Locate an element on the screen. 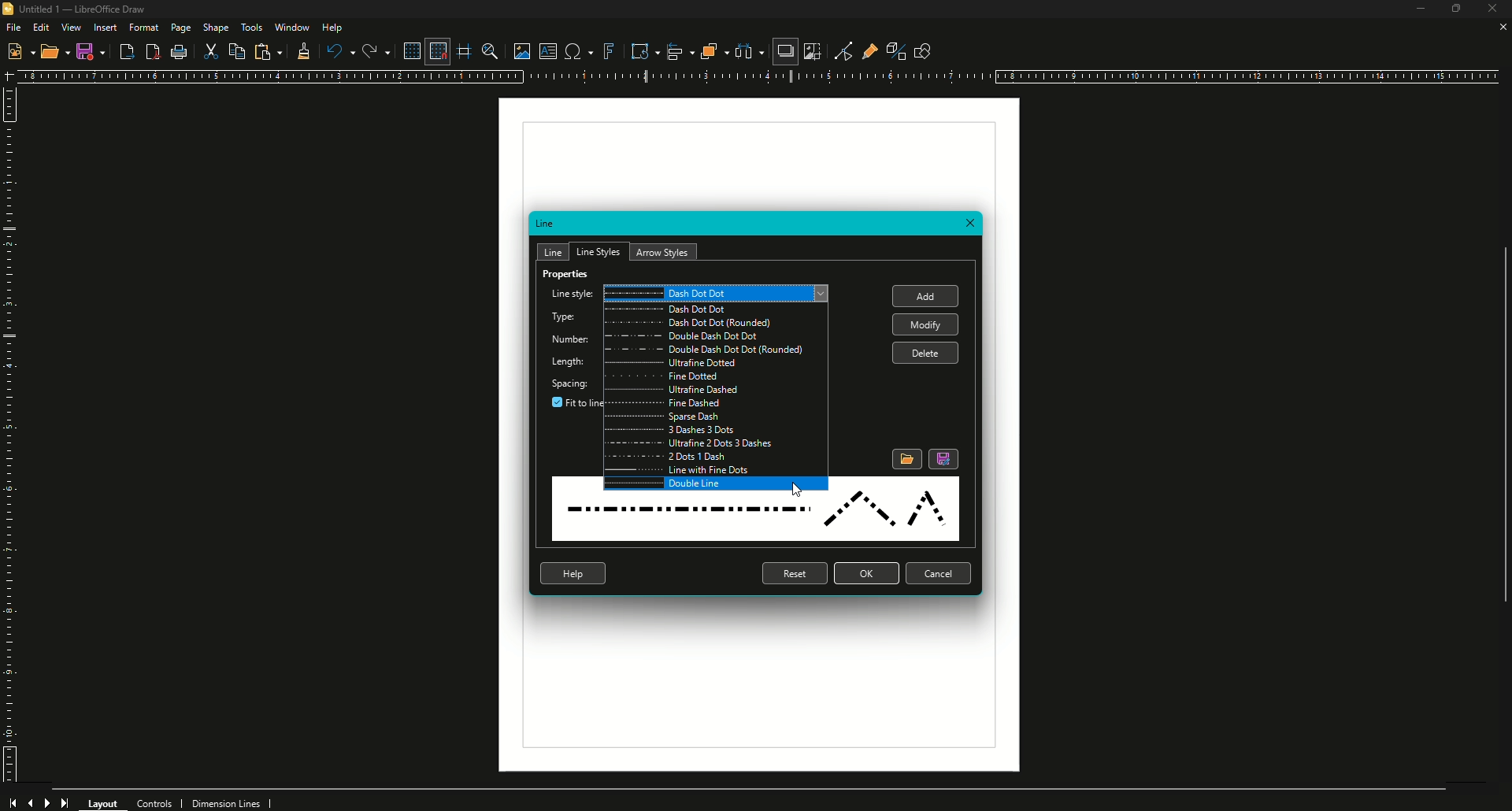  Line Style is located at coordinates (755, 520).